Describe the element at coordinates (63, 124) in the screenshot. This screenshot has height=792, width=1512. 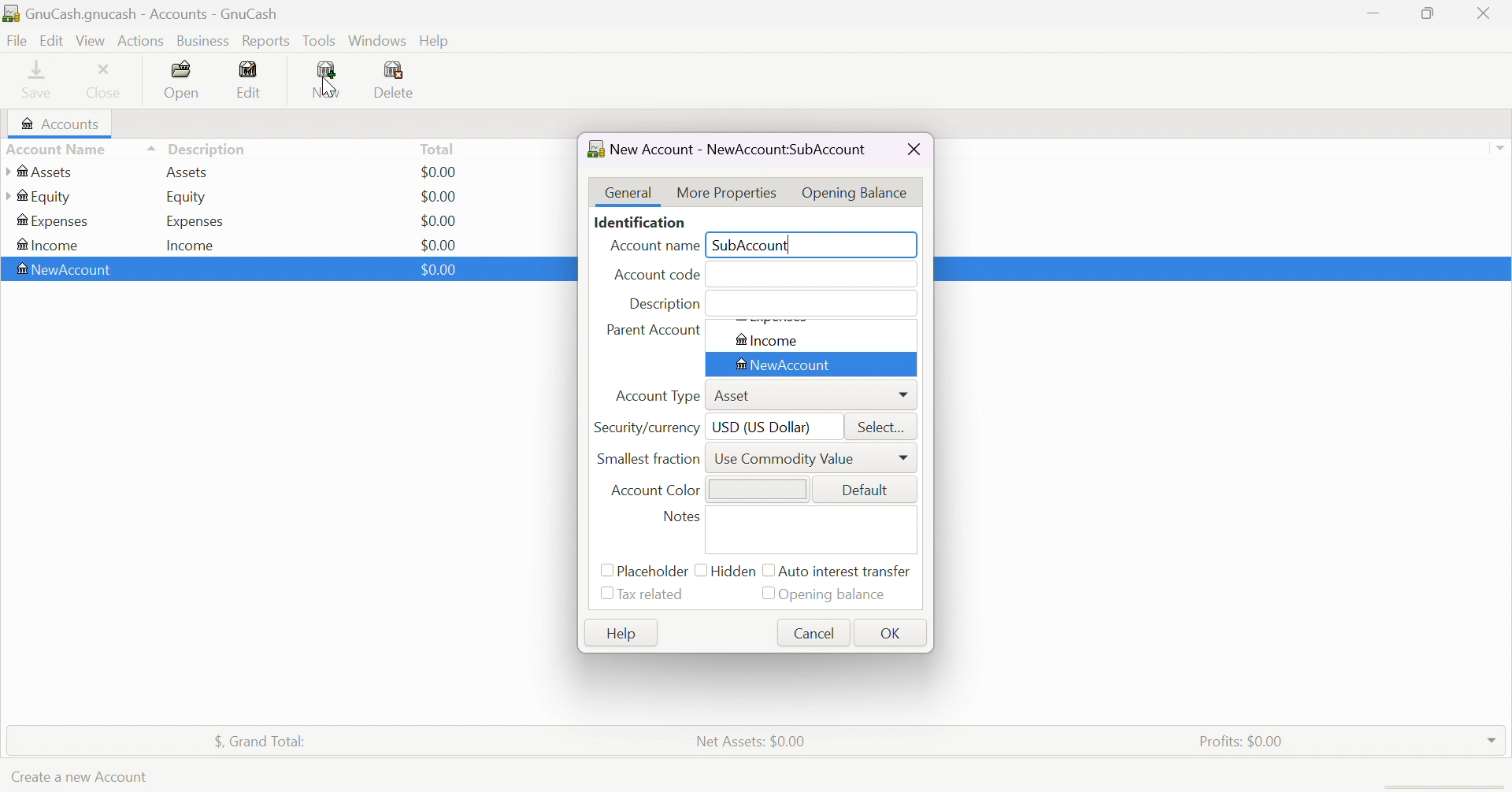
I see `Accounts` at that location.